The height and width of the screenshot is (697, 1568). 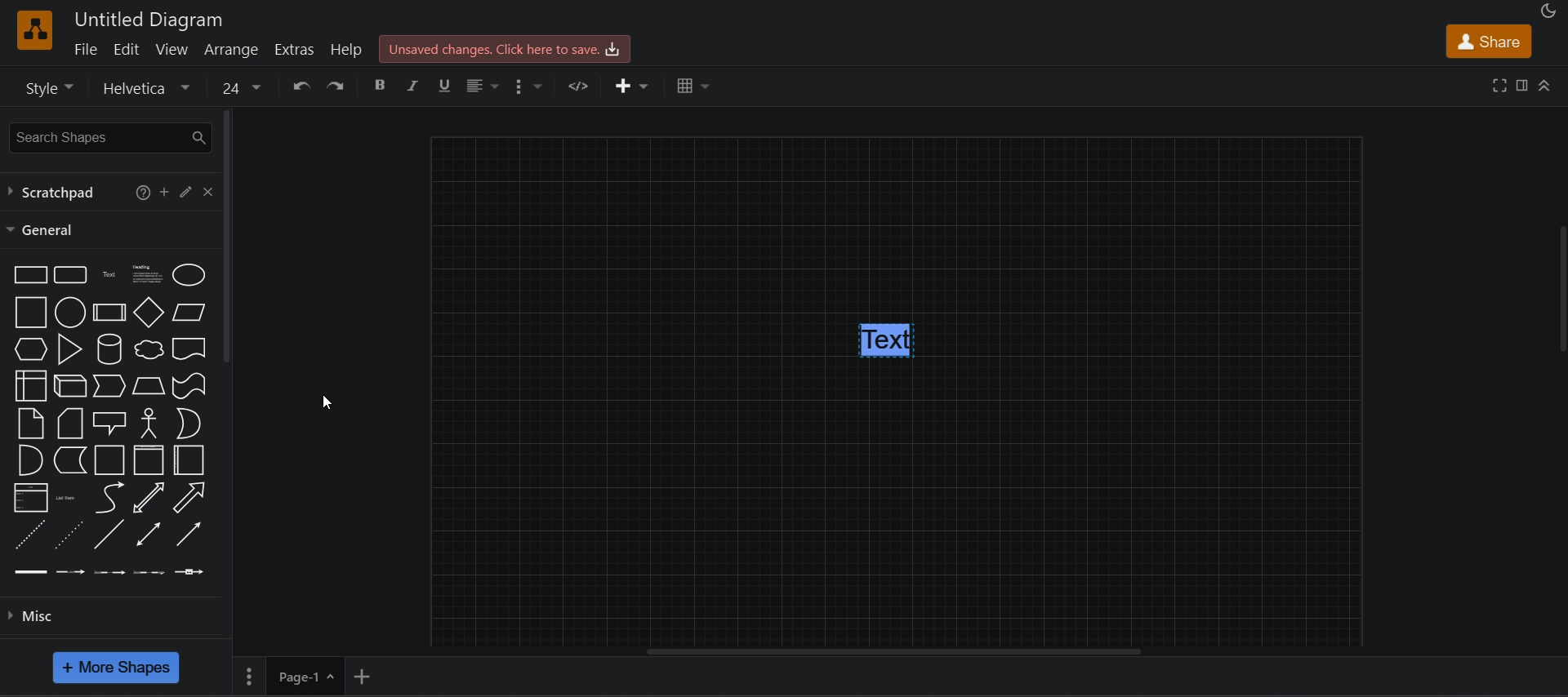 What do you see at coordinates (110, 498) in the screenshot?
I see `Curve` at bounding box center [110, 498].